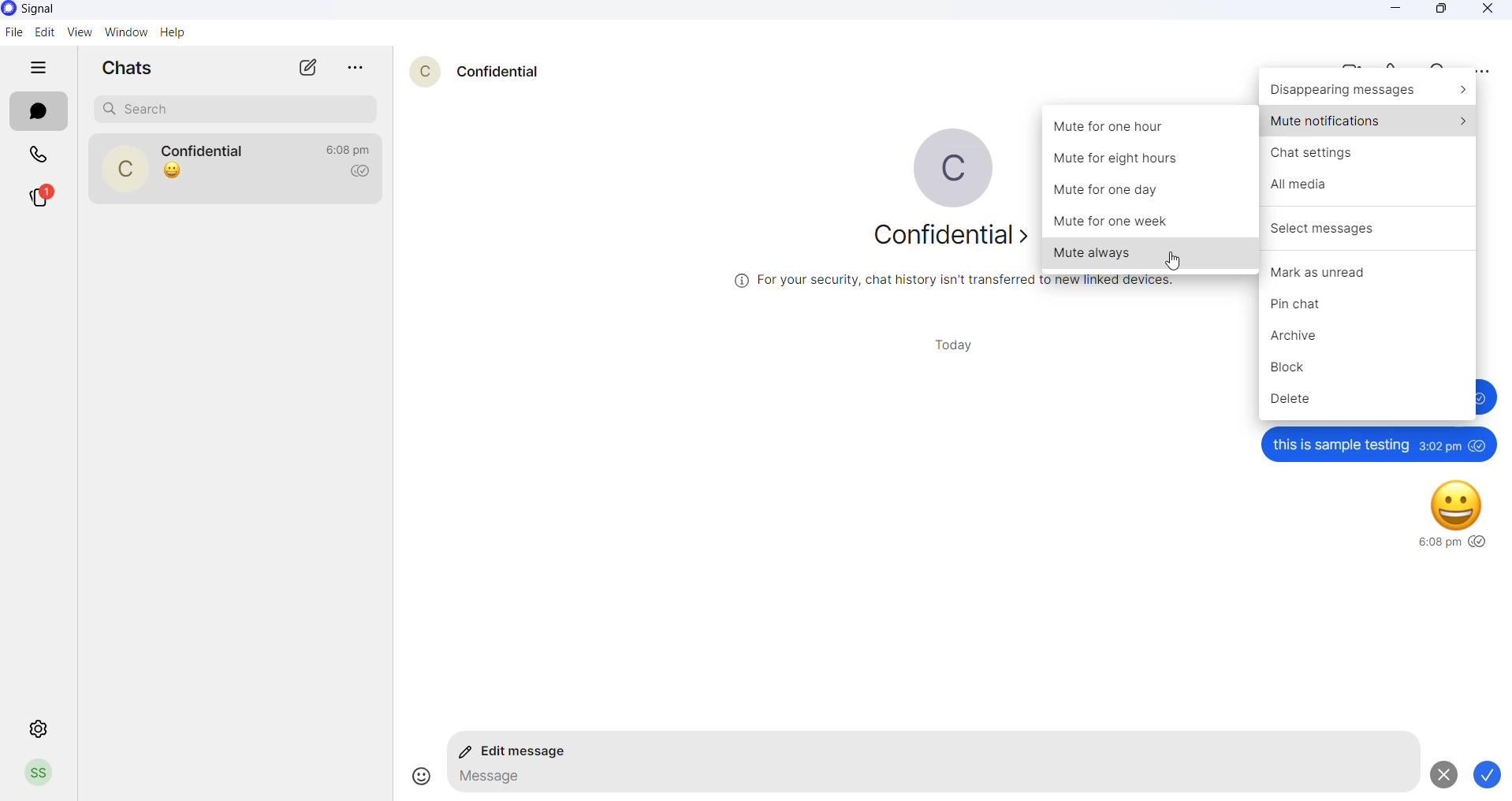 Image resolution: width=1512 pixels, height=801 pixels. I want to click on mute always, so click(1146, 253).